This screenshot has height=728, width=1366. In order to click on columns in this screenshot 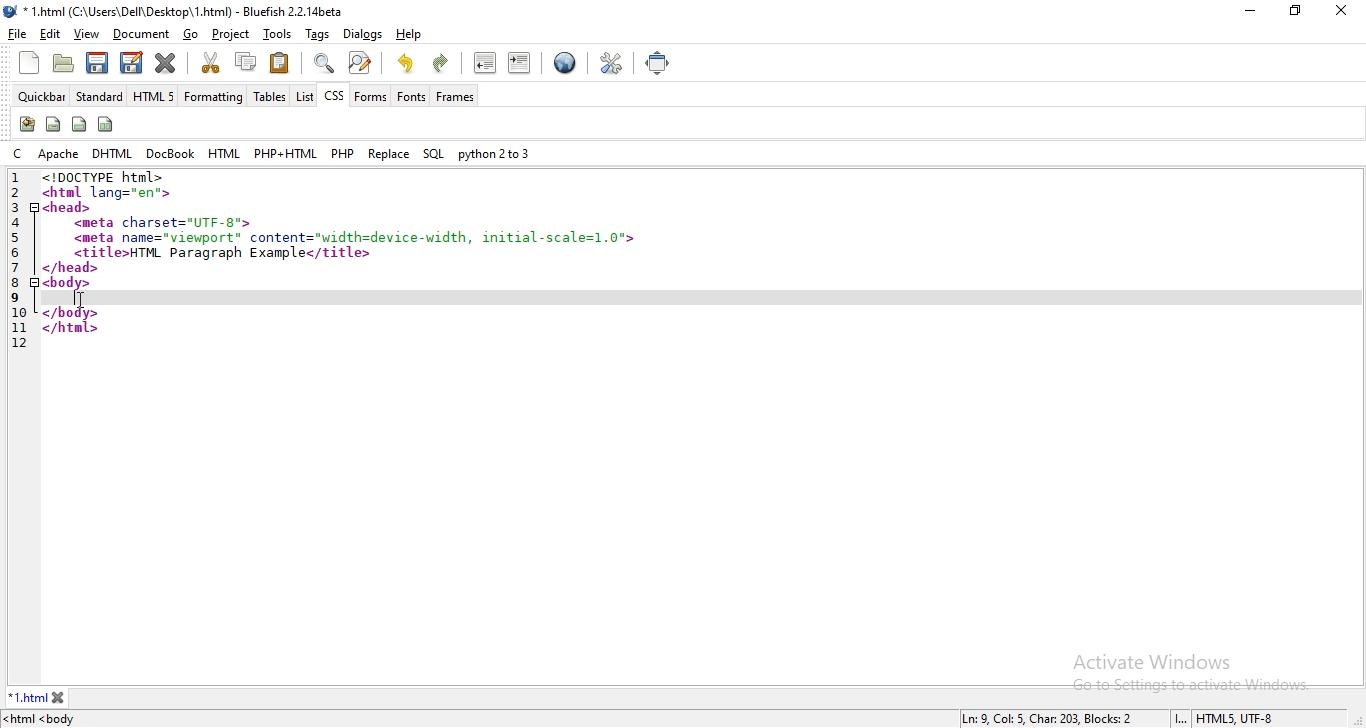, I will do `click(107, 123)`.